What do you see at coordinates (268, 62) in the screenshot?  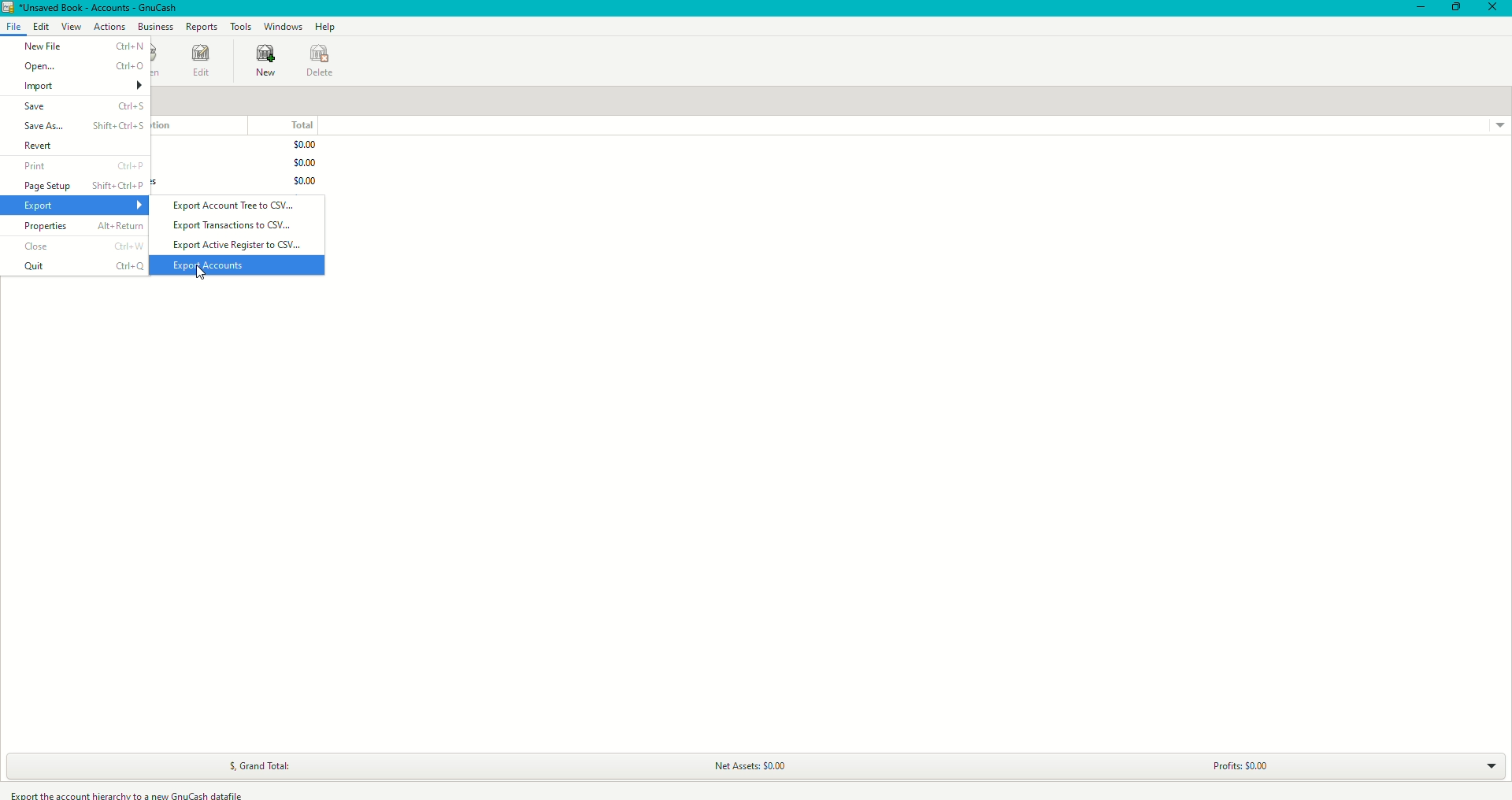 I see `New` at bounding box center [268, 62].